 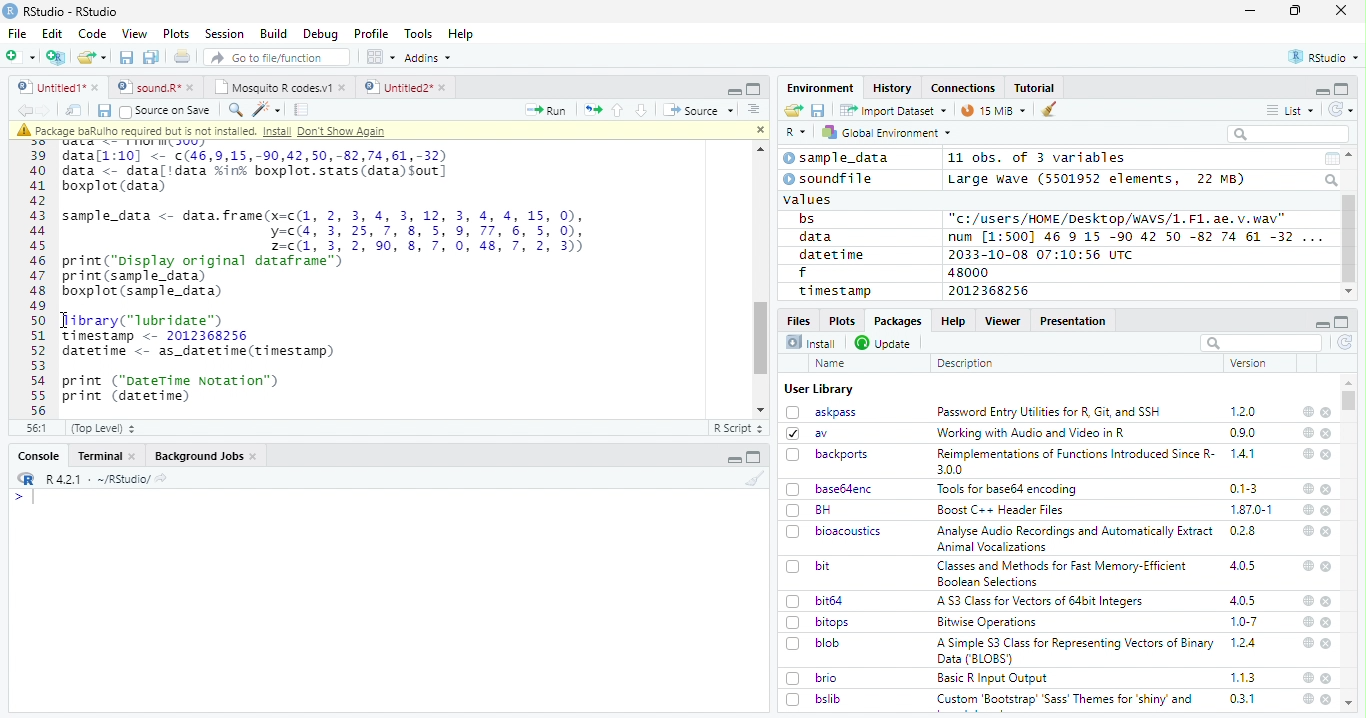 I want to click on close, so click(x=1326, y=489).